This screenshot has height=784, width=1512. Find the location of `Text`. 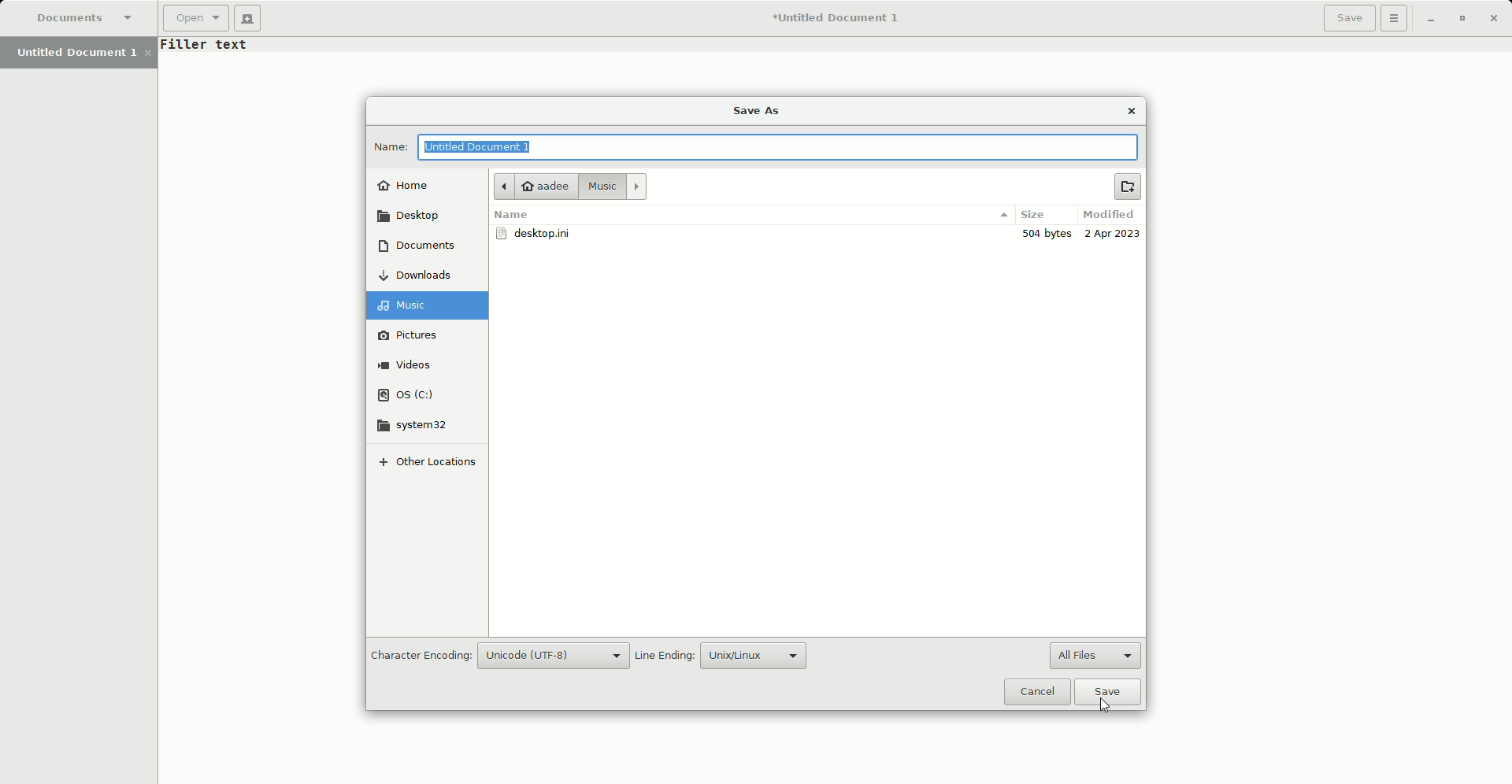

Text is located at coordinates (204, 45).